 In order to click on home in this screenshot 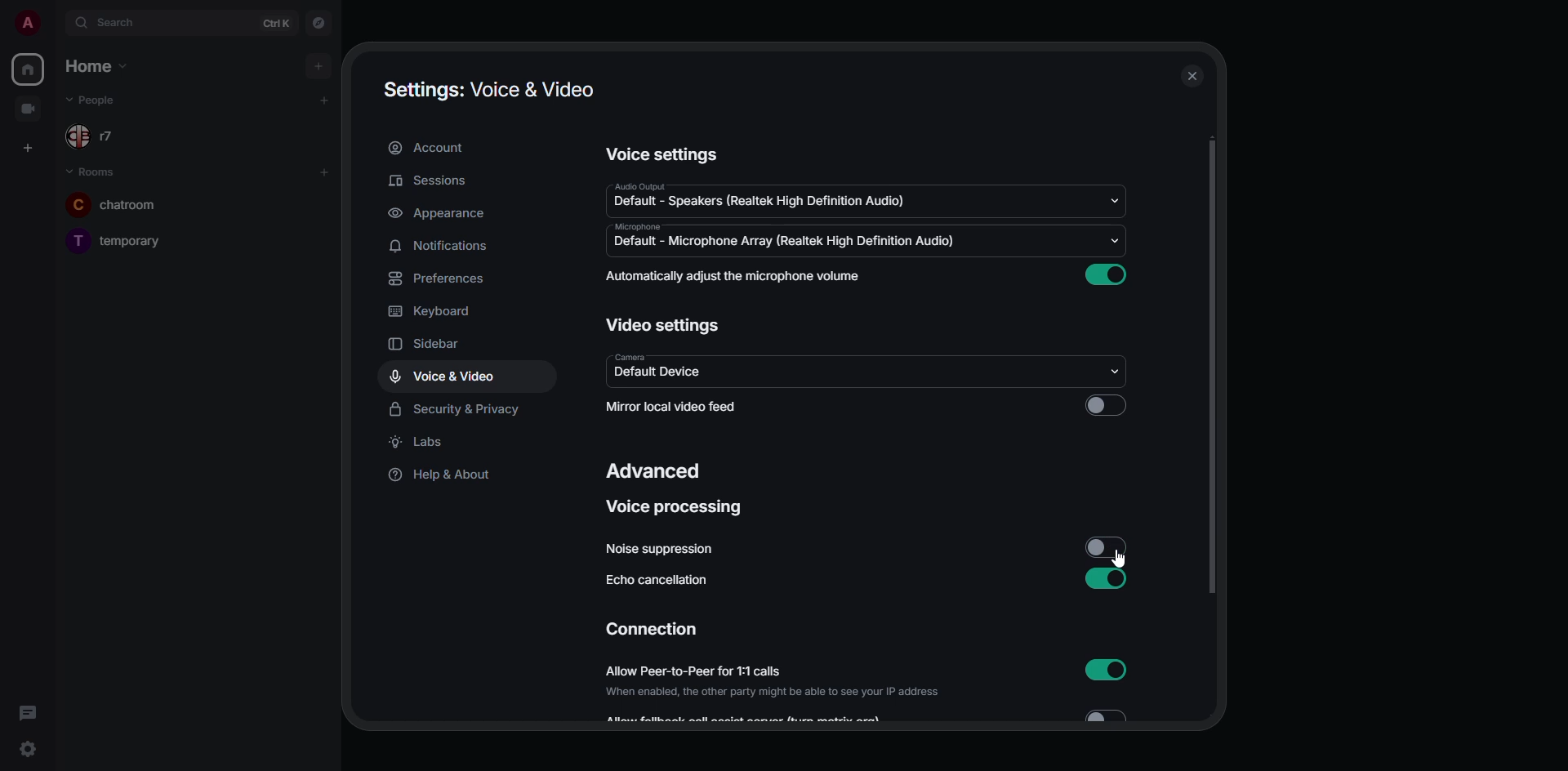, I will do `click(29, 67)`.